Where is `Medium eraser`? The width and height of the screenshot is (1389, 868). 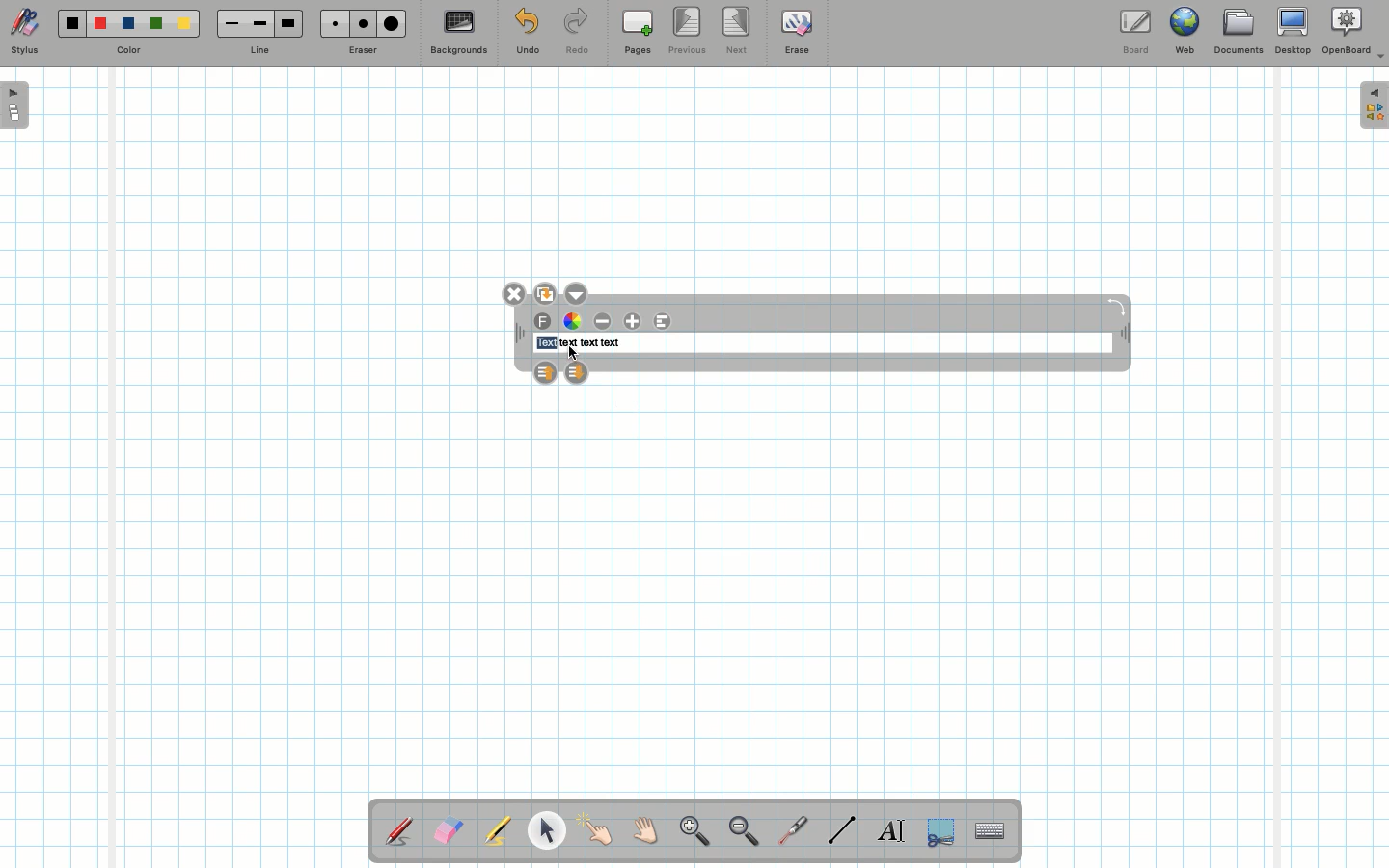 Medium eraser is located at coordinates (360, 23).